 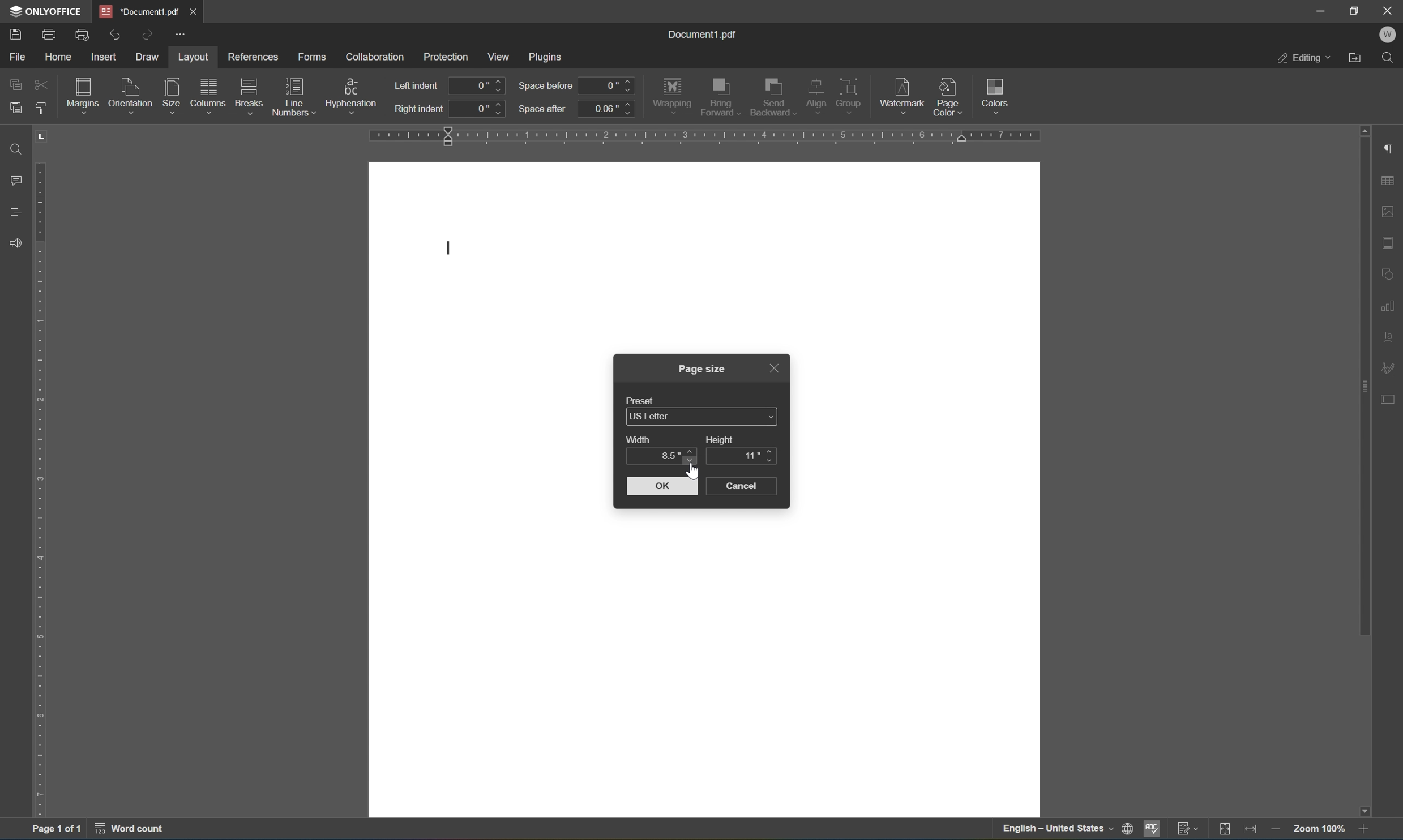 I want to click on feedback & support, so click(x=12, y=243).